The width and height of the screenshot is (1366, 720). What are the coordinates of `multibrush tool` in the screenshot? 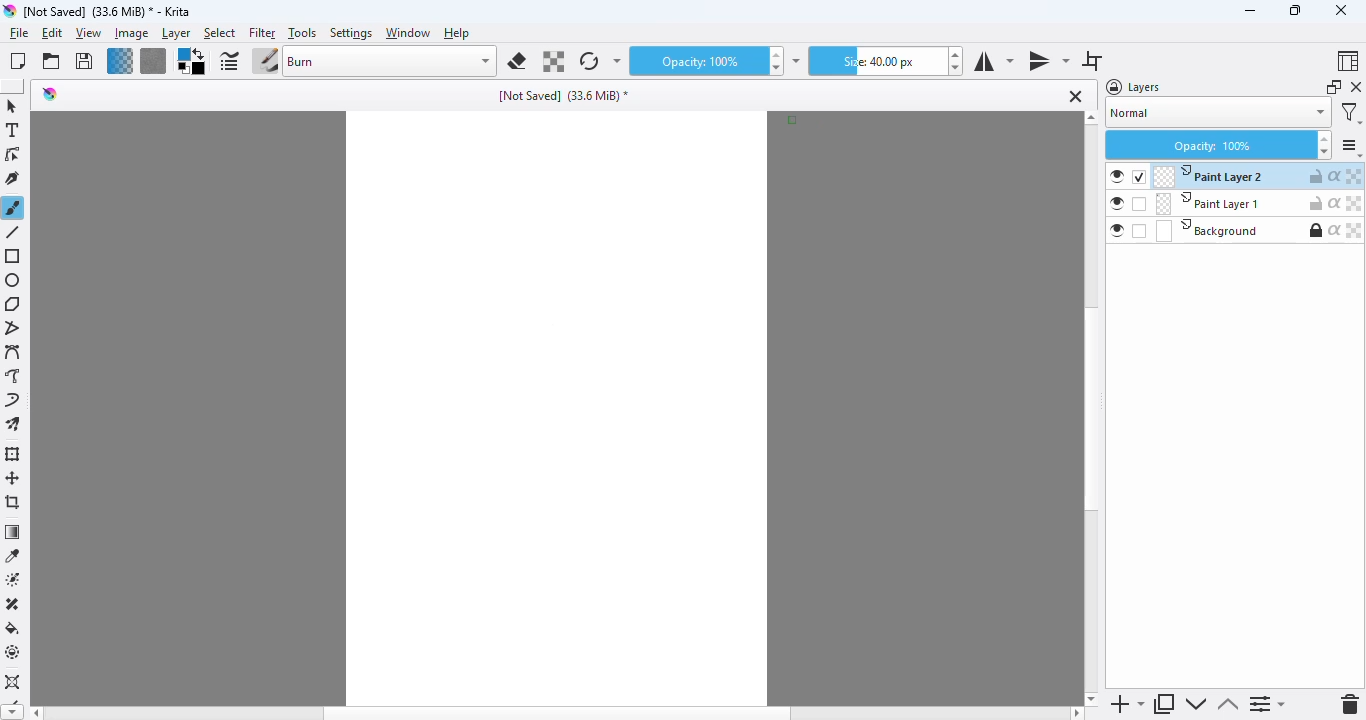 It's located at (13, 425).